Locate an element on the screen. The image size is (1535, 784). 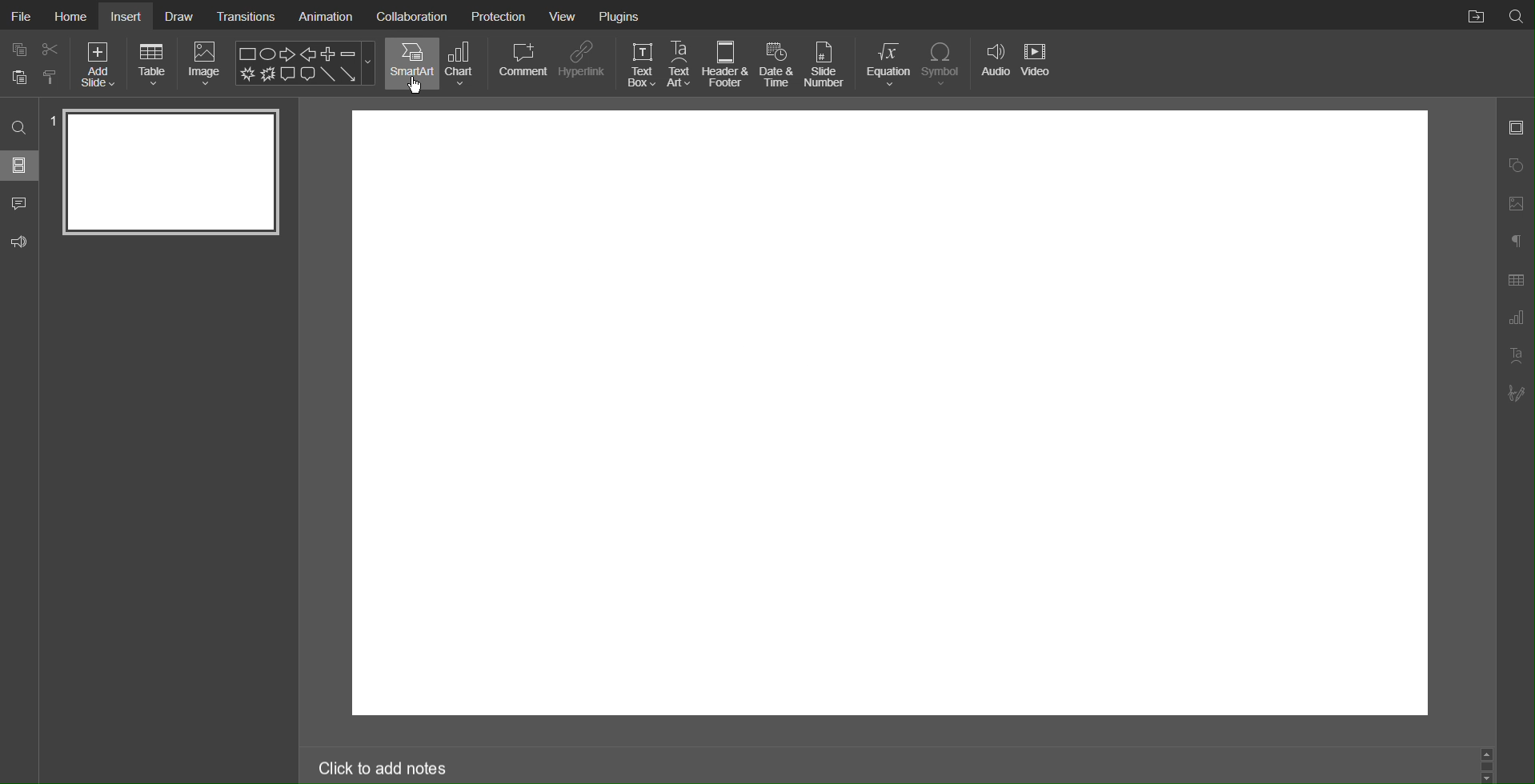
cut is located at coordinates (51, 48).